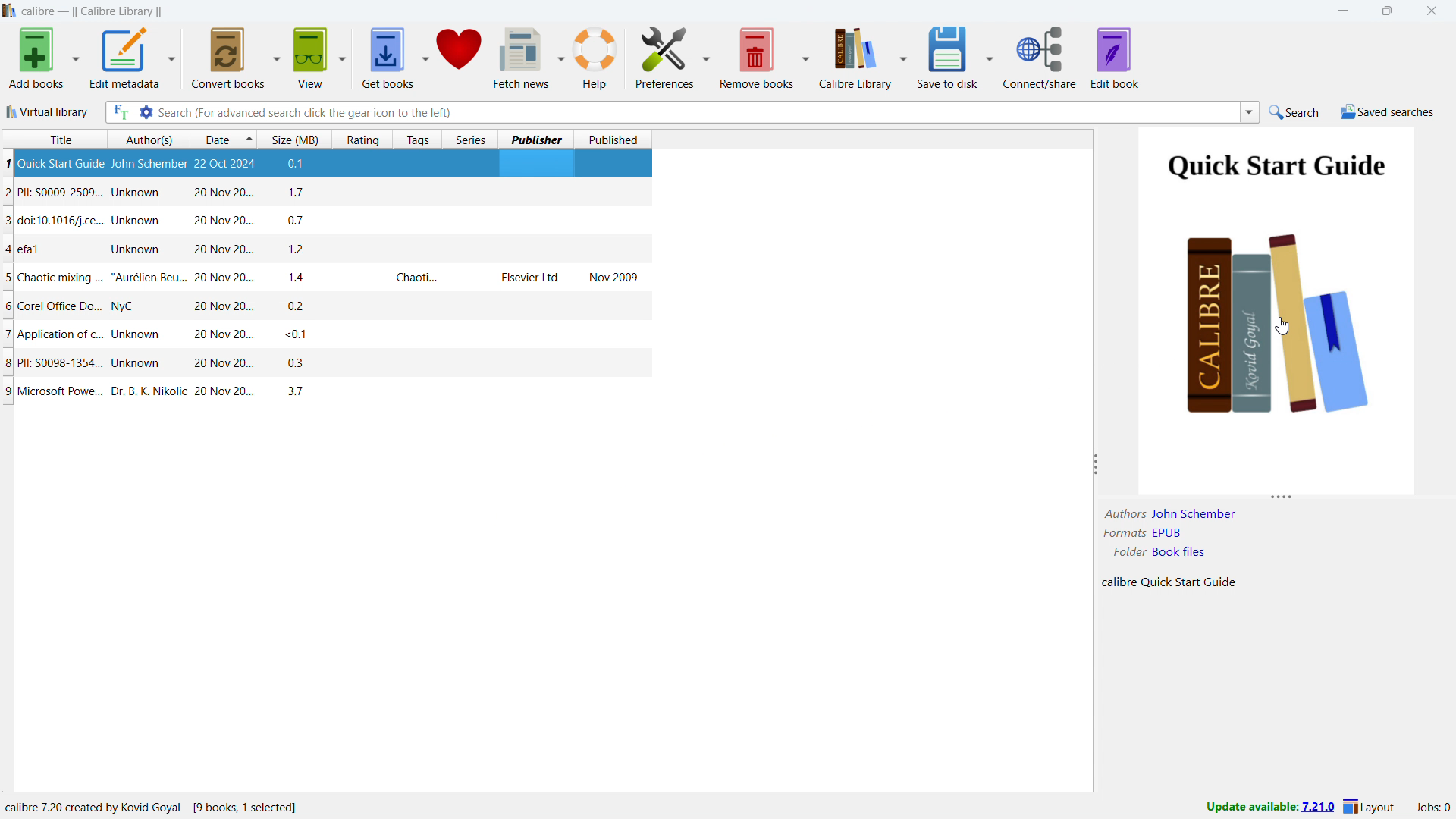  Describe the element at coordinates (92, 11) in the screenshot. I see `calibre - | Calibre Library` at that location.